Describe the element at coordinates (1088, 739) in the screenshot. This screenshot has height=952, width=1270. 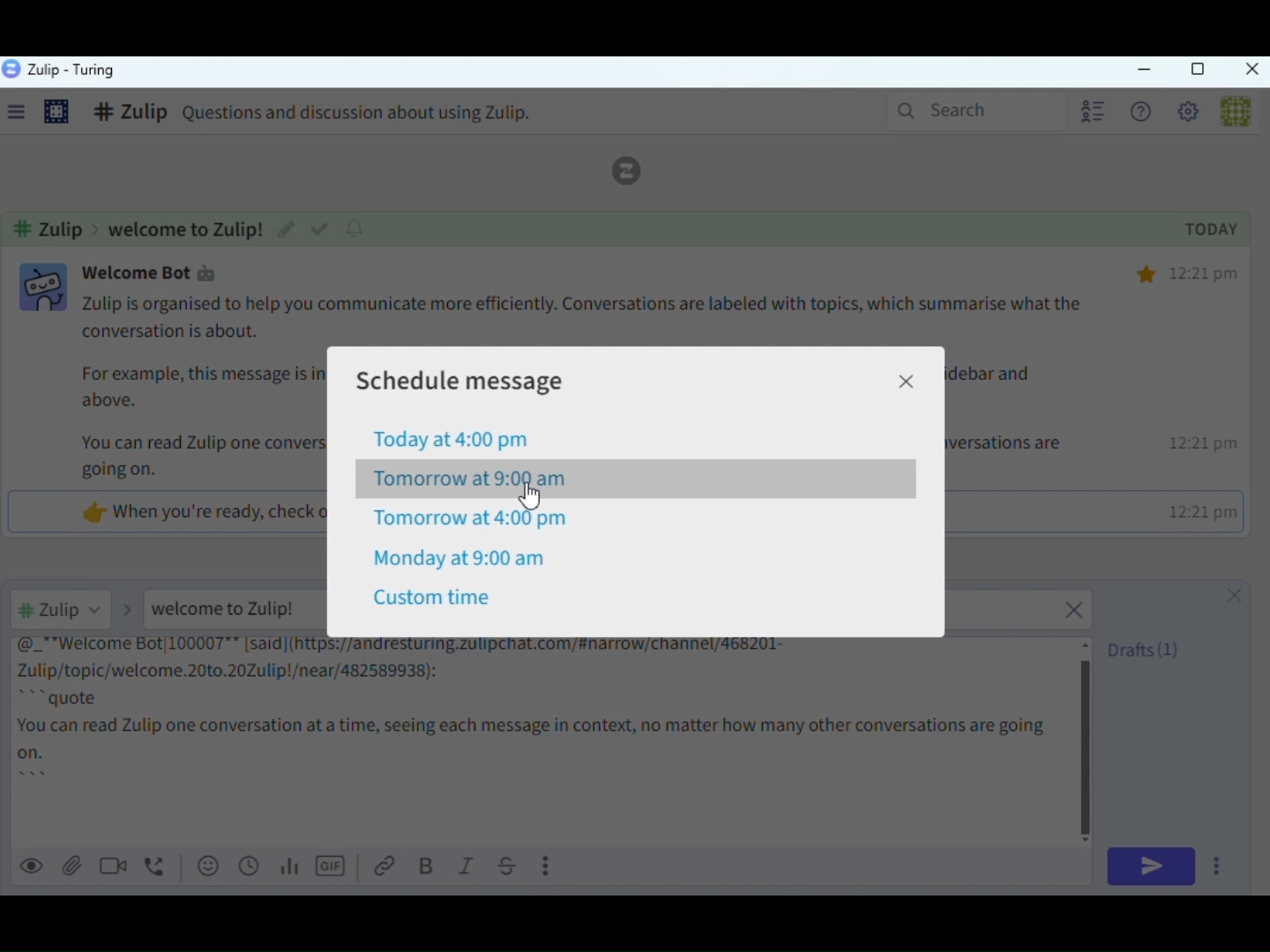
I see `vertical scroll bar` at that location.